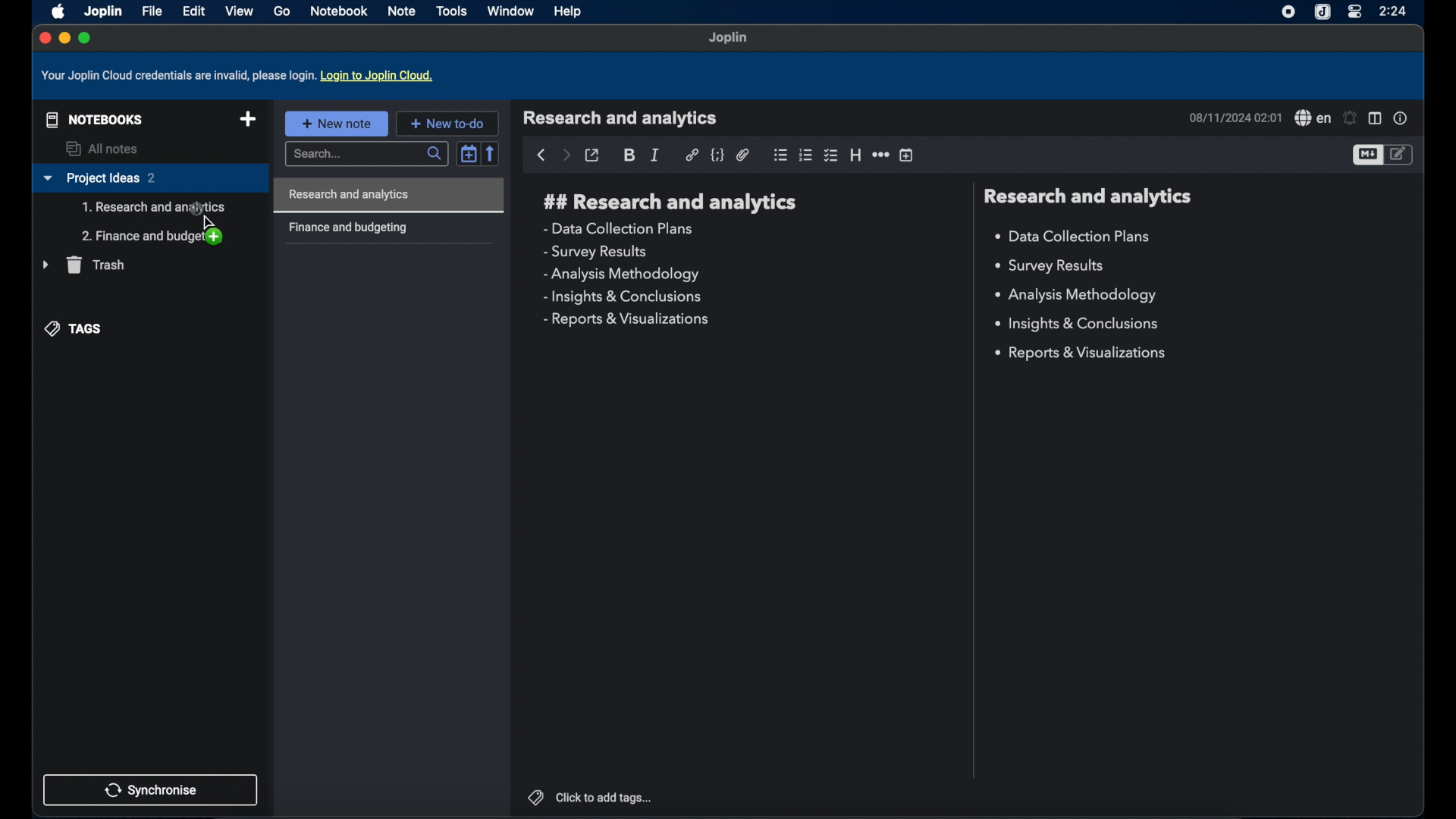 This screenshot has width=1456, height=819. I want to click on data collection plans, so click(1075, 237).